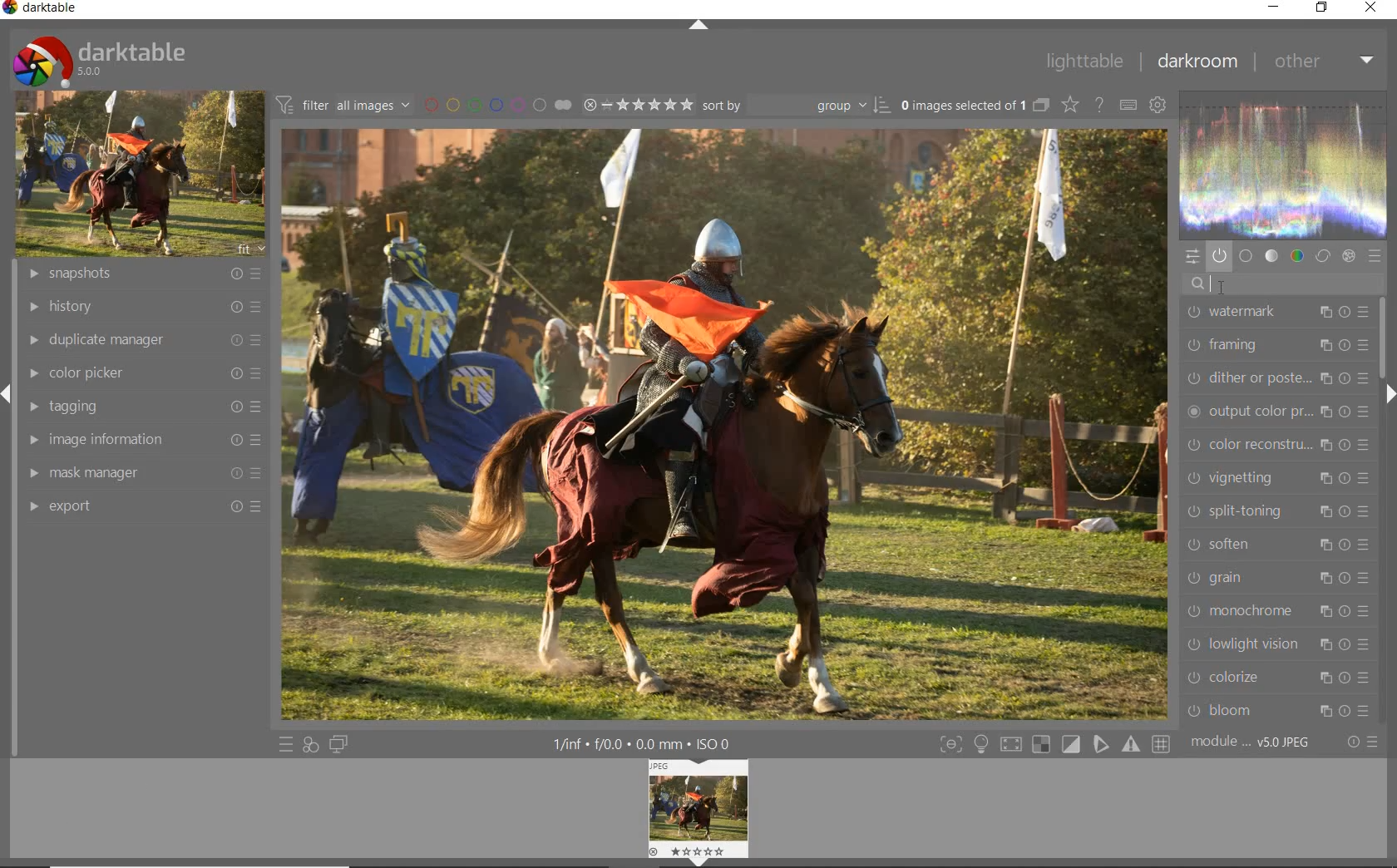  I want to click on darkroom, so click(1197, 63).